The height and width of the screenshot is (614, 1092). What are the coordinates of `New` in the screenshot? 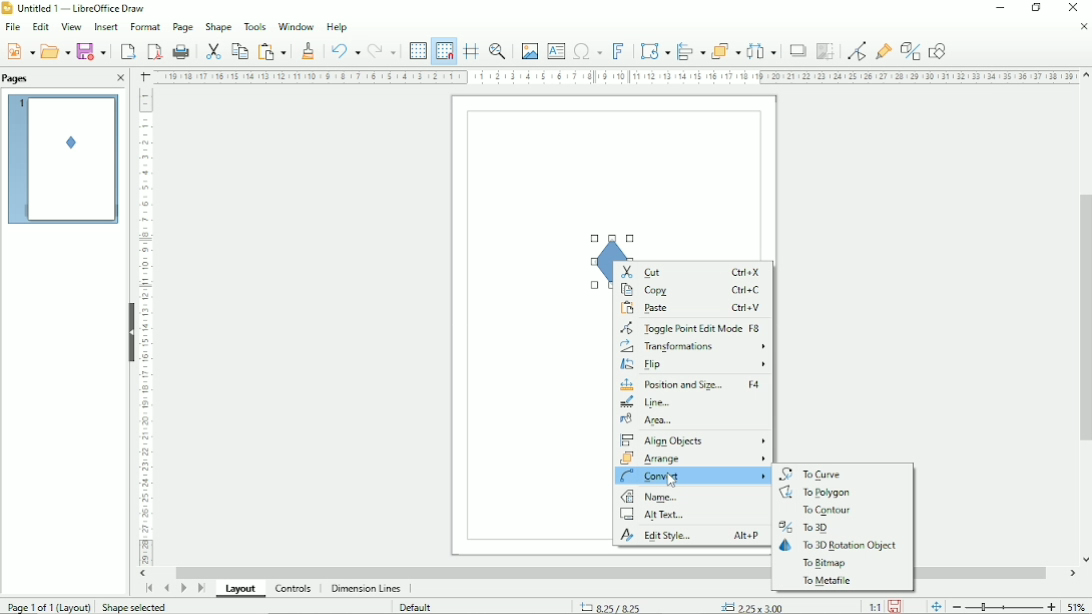 It's located at (19, 50).